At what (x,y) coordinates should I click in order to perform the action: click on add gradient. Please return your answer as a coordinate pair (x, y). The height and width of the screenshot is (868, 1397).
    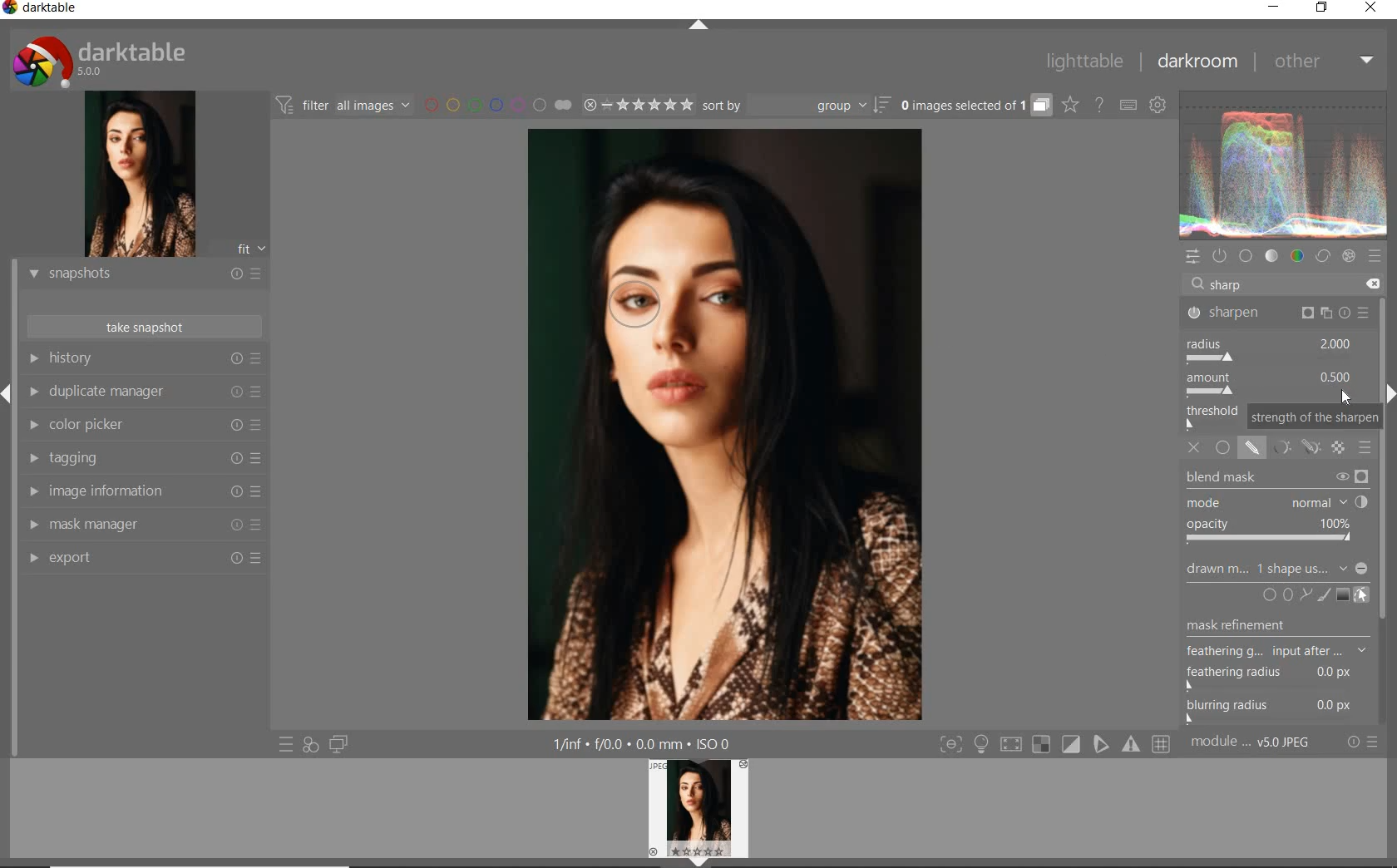
    Looking at the image, I should click on (1344, 594).